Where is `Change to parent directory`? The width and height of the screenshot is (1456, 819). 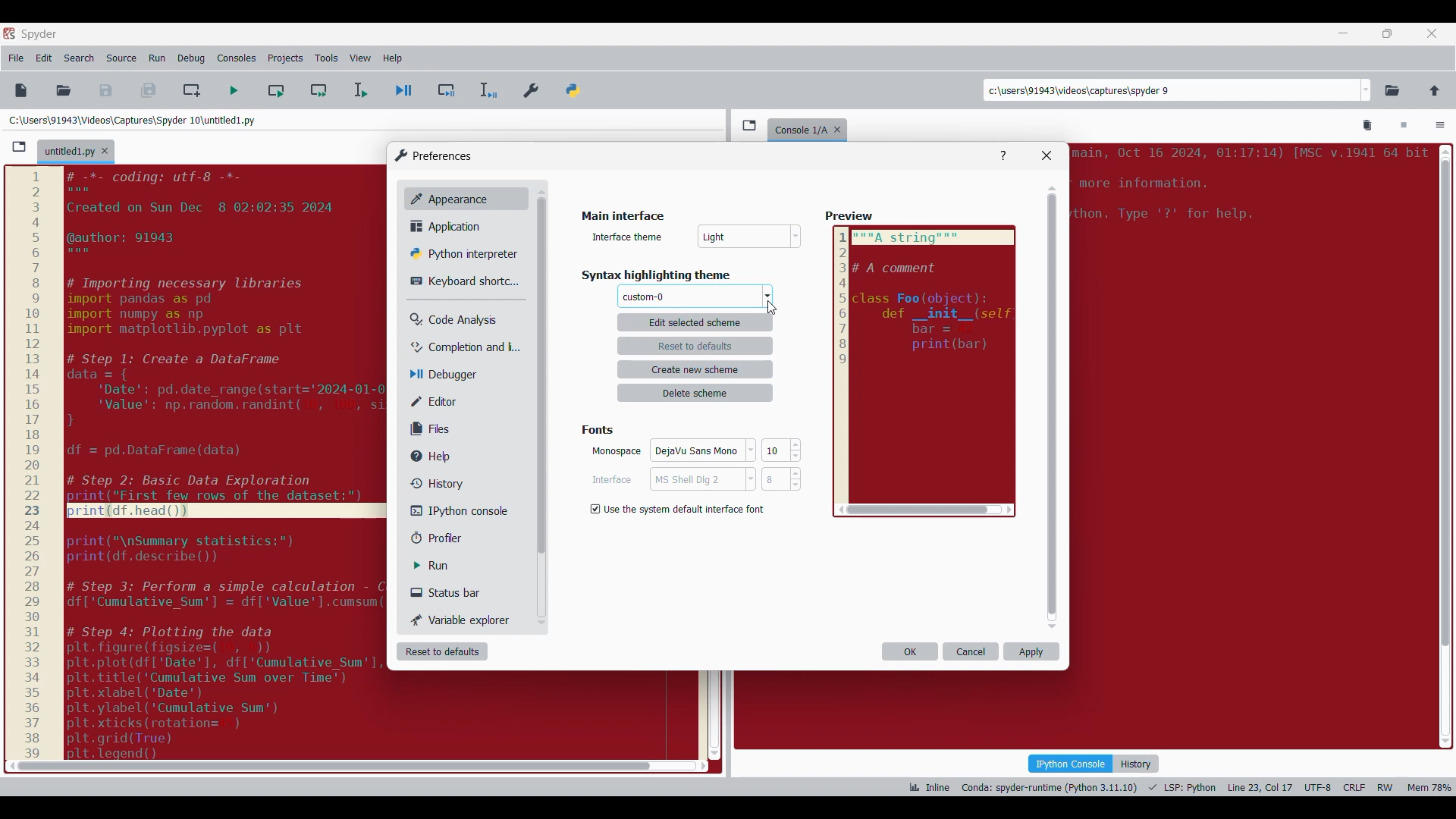 Change to parent directory is located at coordinates (1435, 90).